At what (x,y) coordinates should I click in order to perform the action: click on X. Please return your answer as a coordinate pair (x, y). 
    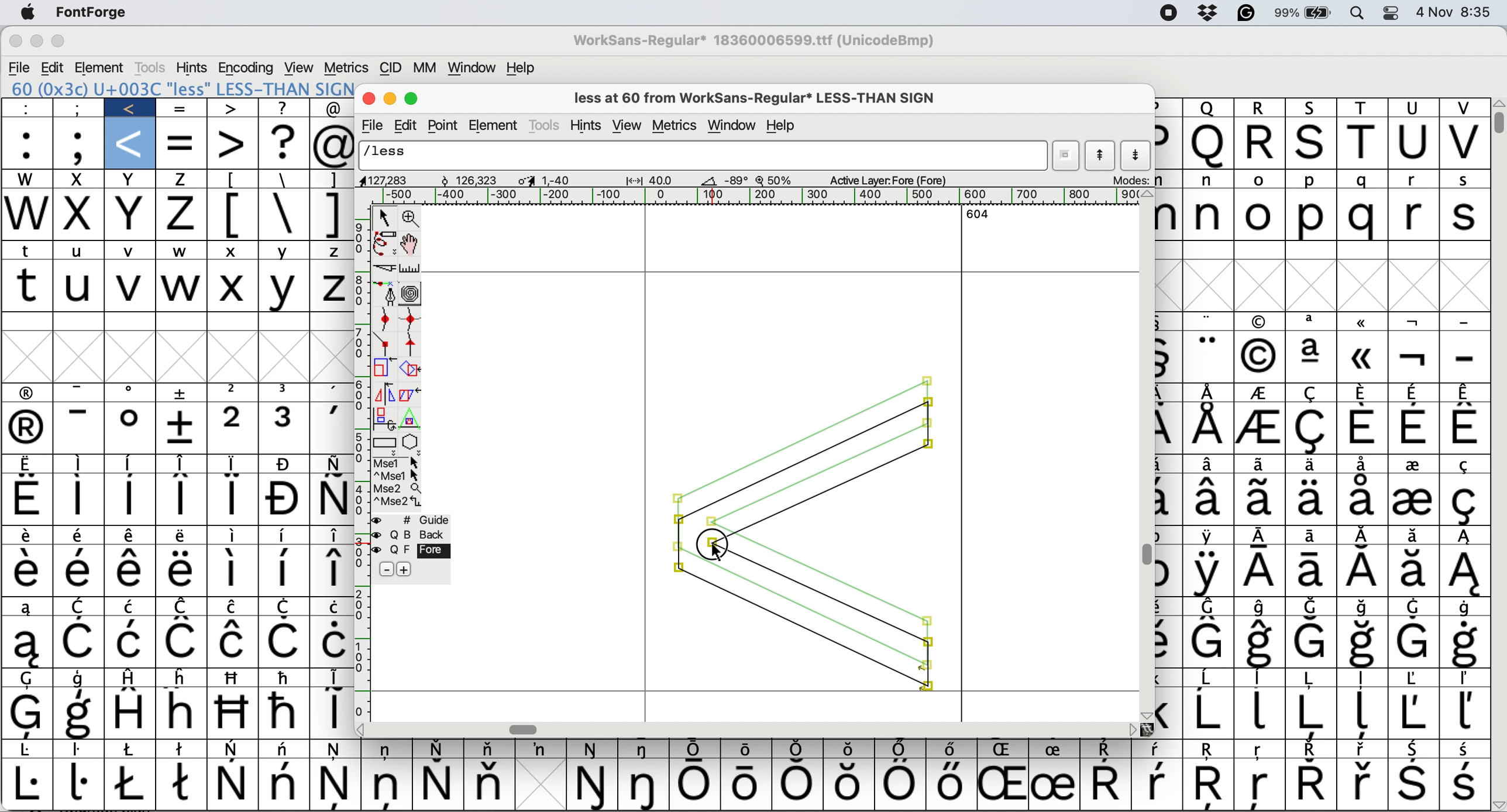
    Looking at the image, I should click on (232, 287).